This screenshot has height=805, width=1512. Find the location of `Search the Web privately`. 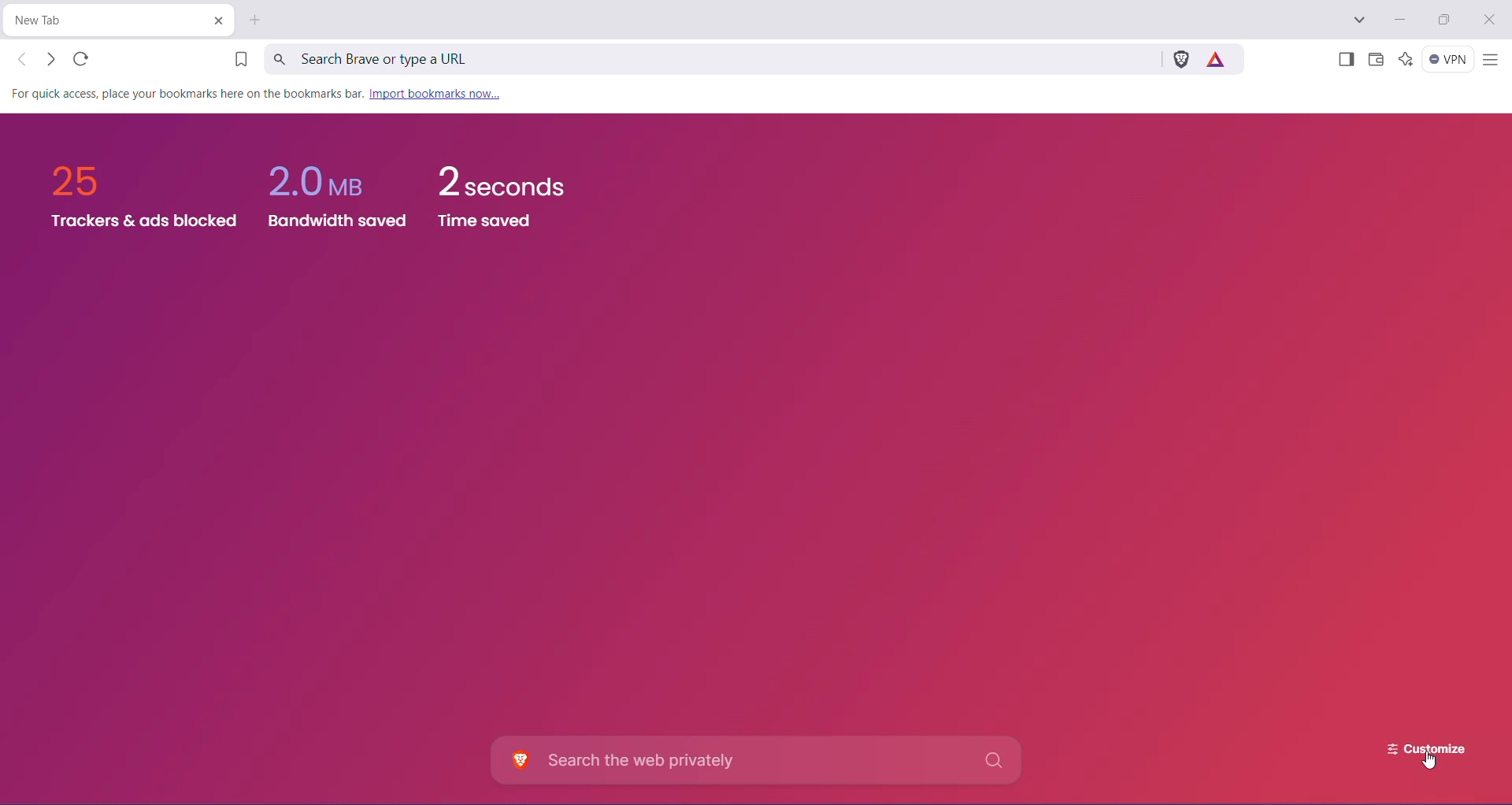

Search the Web privately is located at coordinates (760, 760).